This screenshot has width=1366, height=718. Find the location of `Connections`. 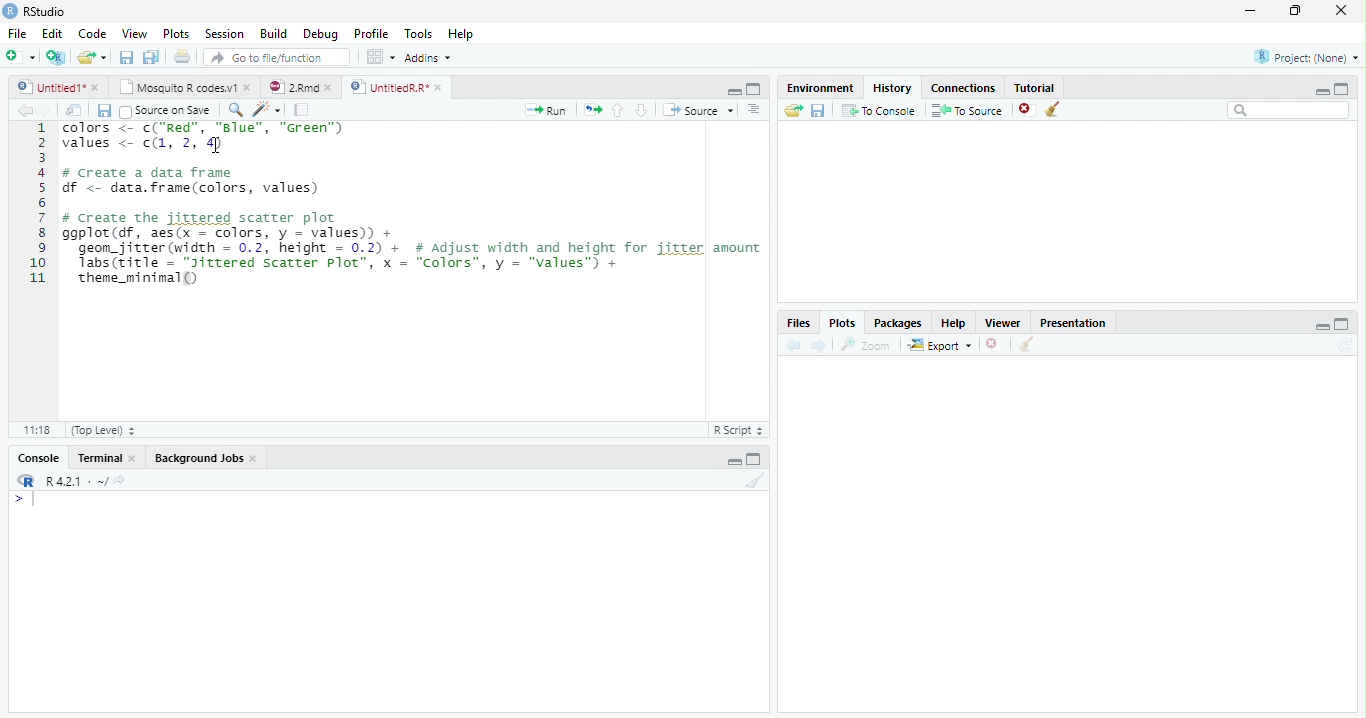

Connections is located at coordinates (963, 88).